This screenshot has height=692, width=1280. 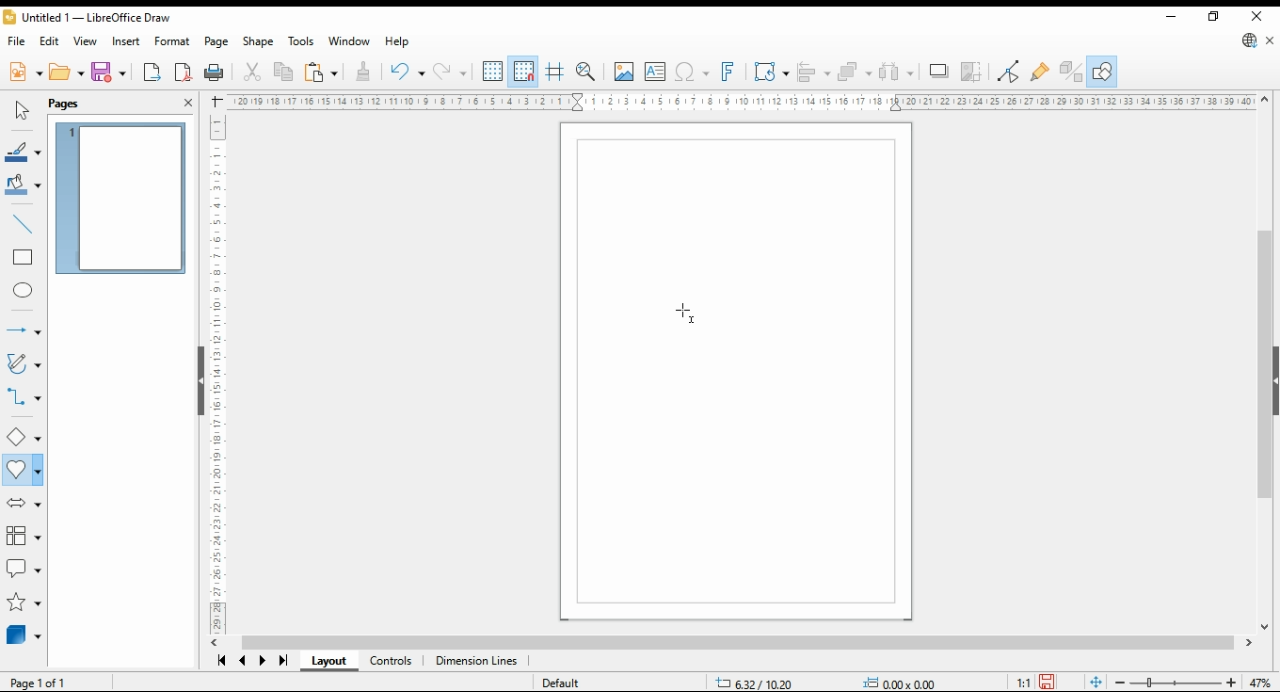 What do you see at coordinates (587, 72) in the screenshot?
I see `pan and zoom` at bounding box center [587, 72].